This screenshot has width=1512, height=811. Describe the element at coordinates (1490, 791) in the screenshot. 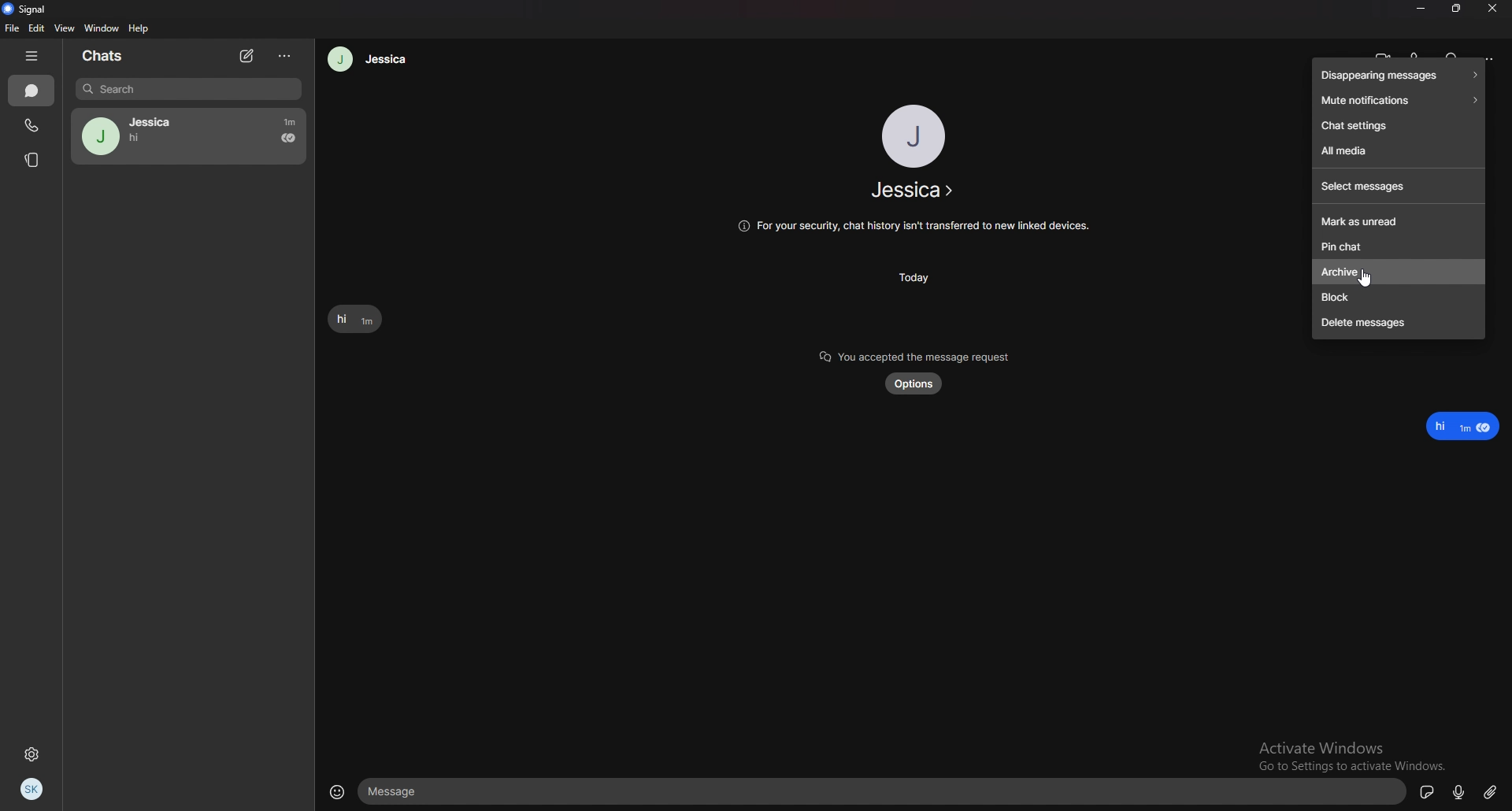

I see `Add attachments` at that location.